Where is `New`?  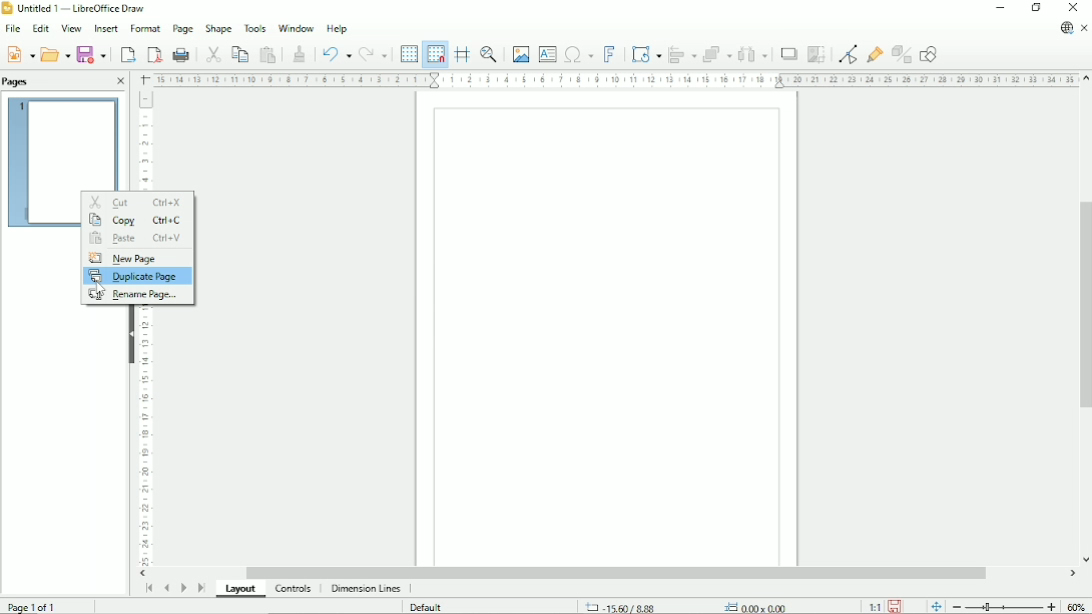
New is located at coordinates (19, 53).